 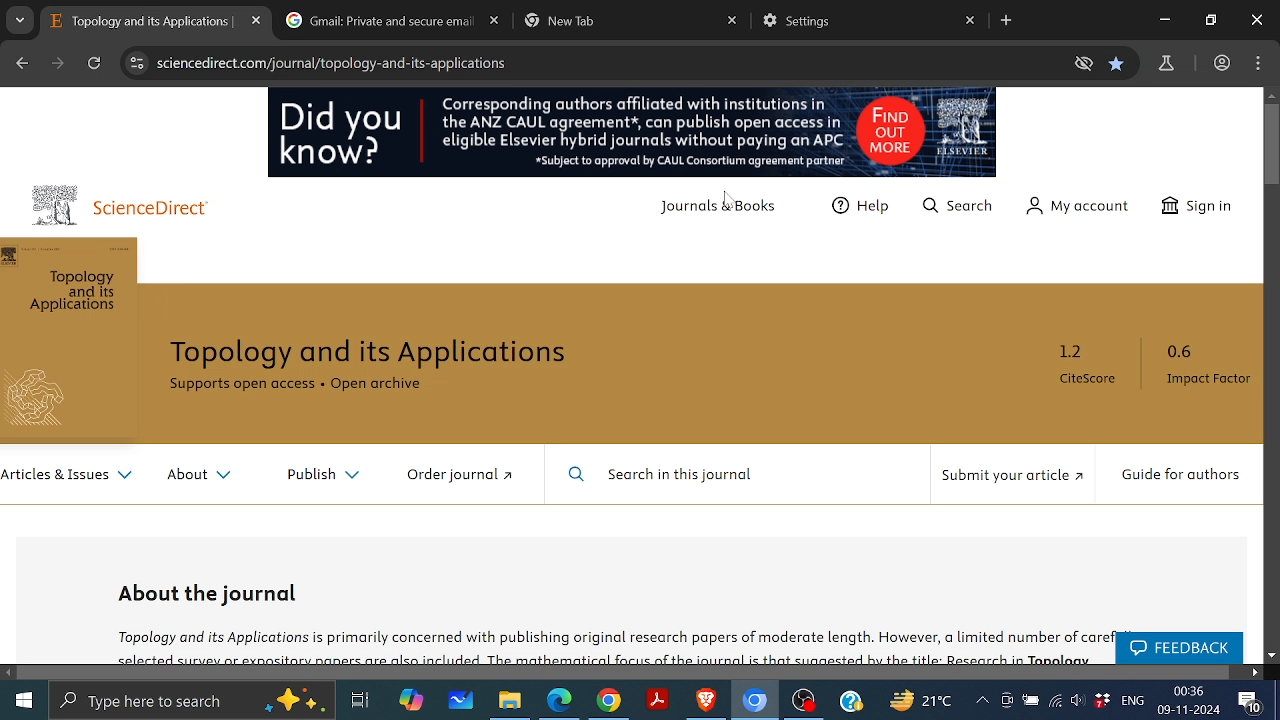 What do you see at coordinates (200, 476) in the screenshot?
I see `About ` at bounding box center [200, 476].